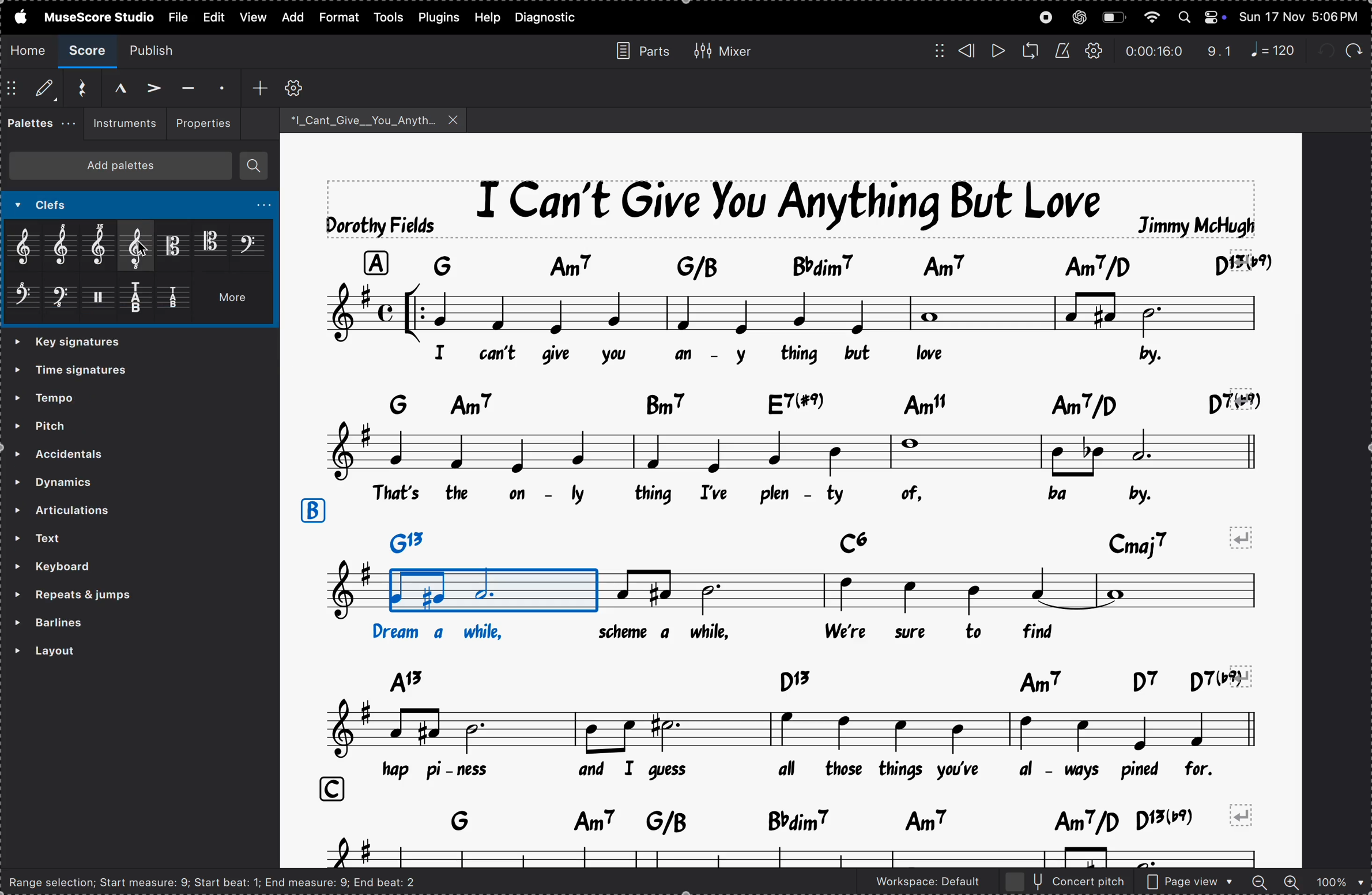 The height and width of the screenshot is (895, 1372). I want to click on song file, so click(374, 119).